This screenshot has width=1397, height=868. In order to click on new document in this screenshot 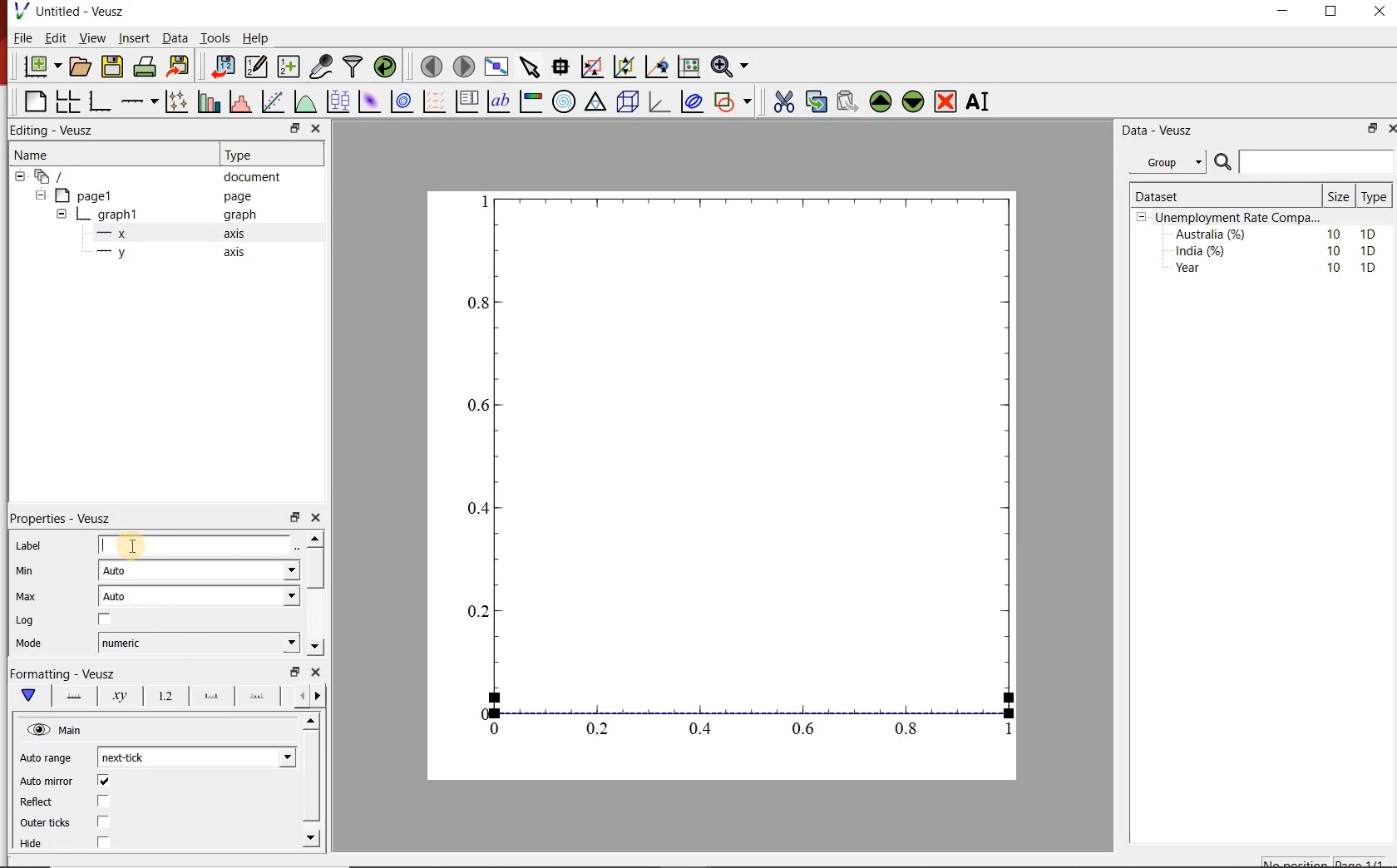, I will do `click(43, 66)`.